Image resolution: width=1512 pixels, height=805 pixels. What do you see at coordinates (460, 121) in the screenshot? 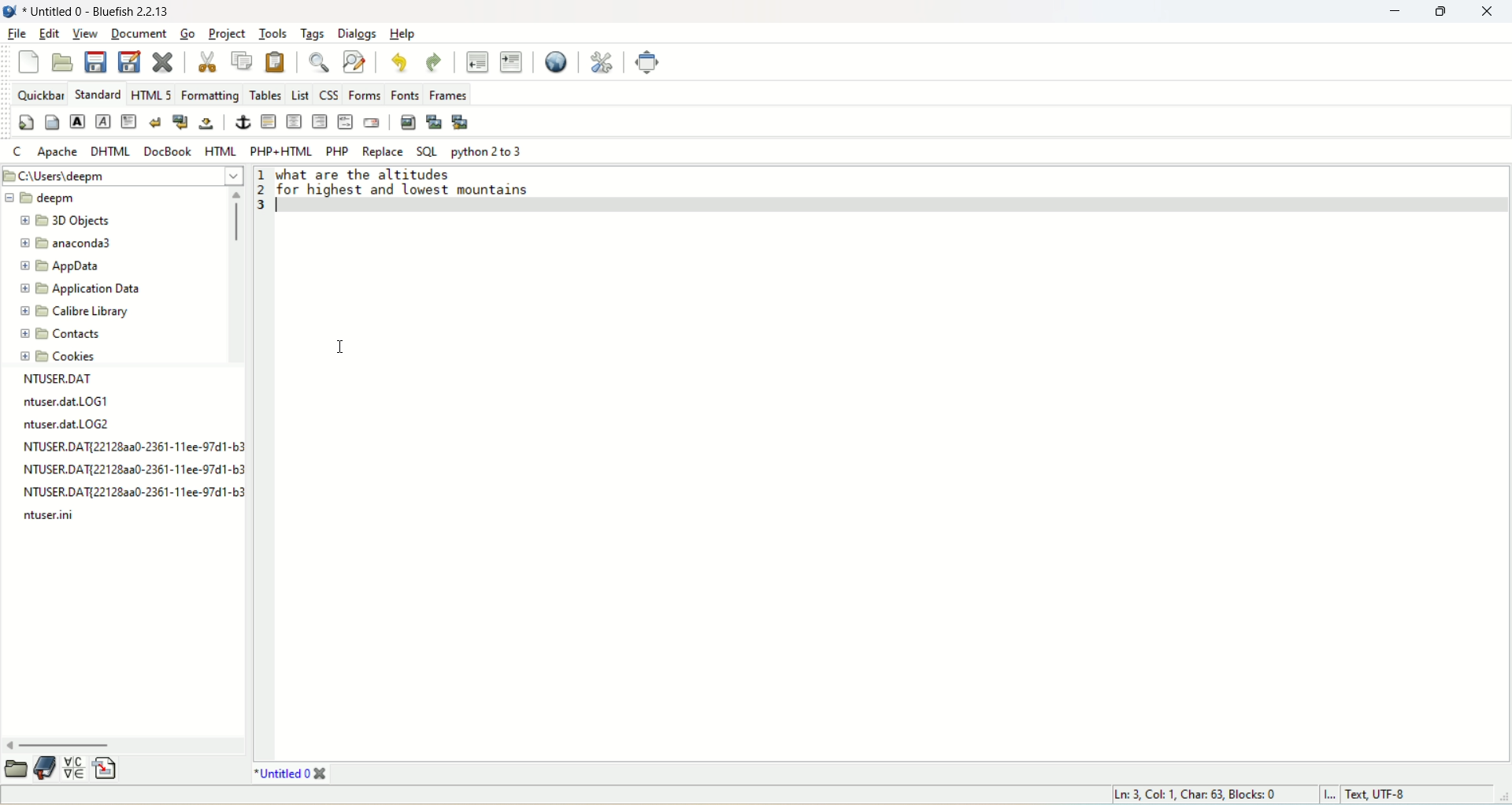
I see `multi-thumbnail` at bounding box center [460, 121].